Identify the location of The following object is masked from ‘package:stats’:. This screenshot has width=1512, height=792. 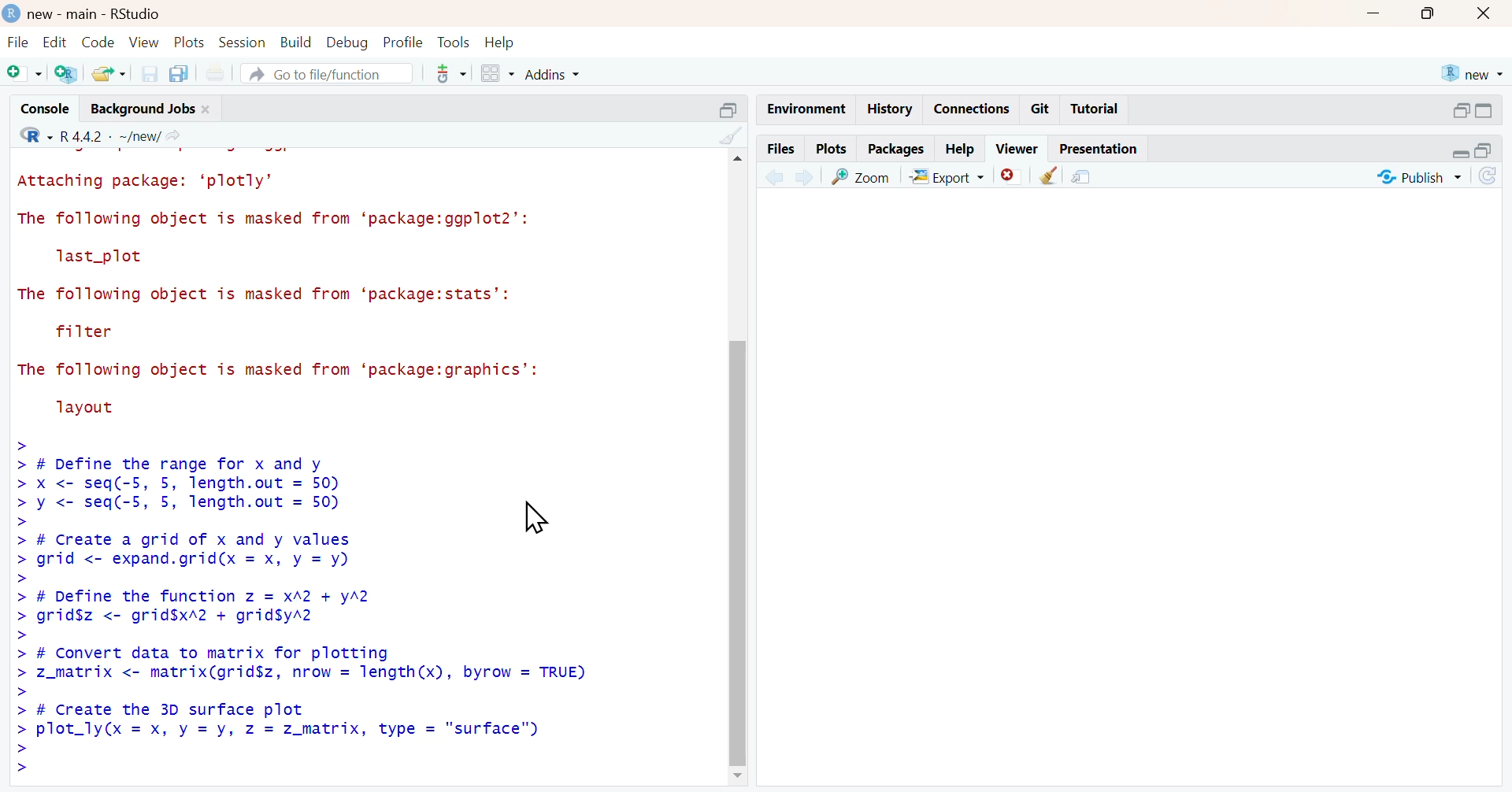
(273, 296).